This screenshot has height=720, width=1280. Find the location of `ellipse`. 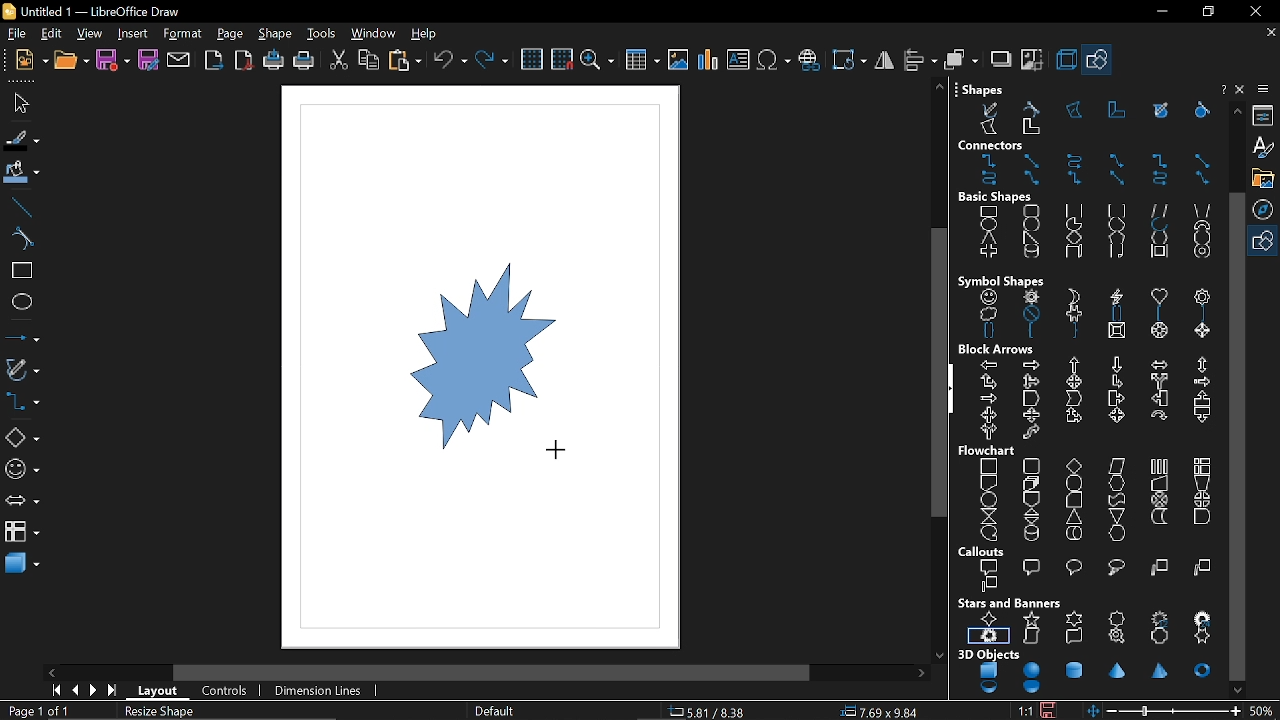

ellipse is located at coordinates (19, 300).